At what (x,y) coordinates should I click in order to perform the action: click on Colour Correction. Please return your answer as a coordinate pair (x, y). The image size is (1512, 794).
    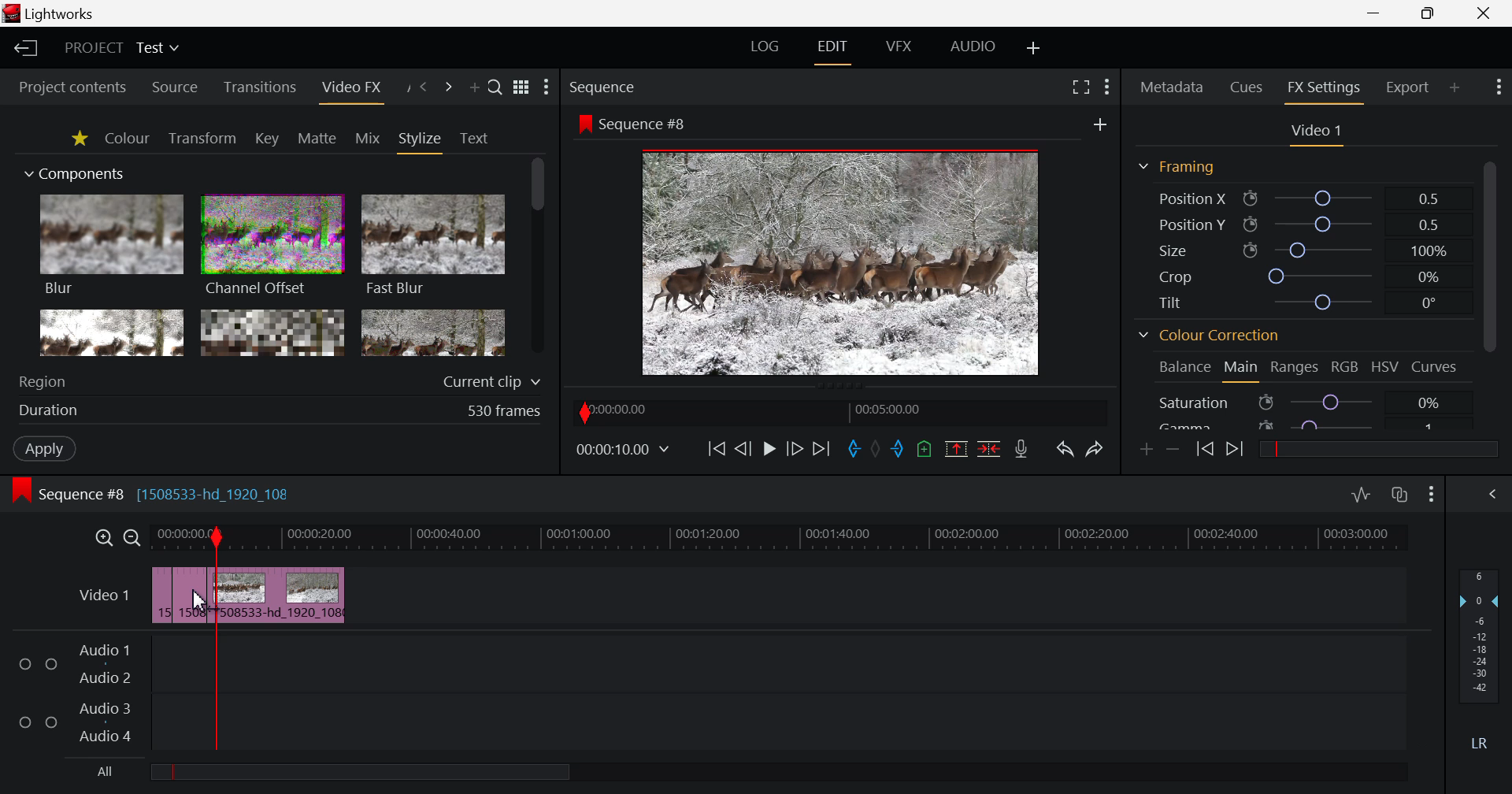
    Looking at the image, I should click on (1209, 336).